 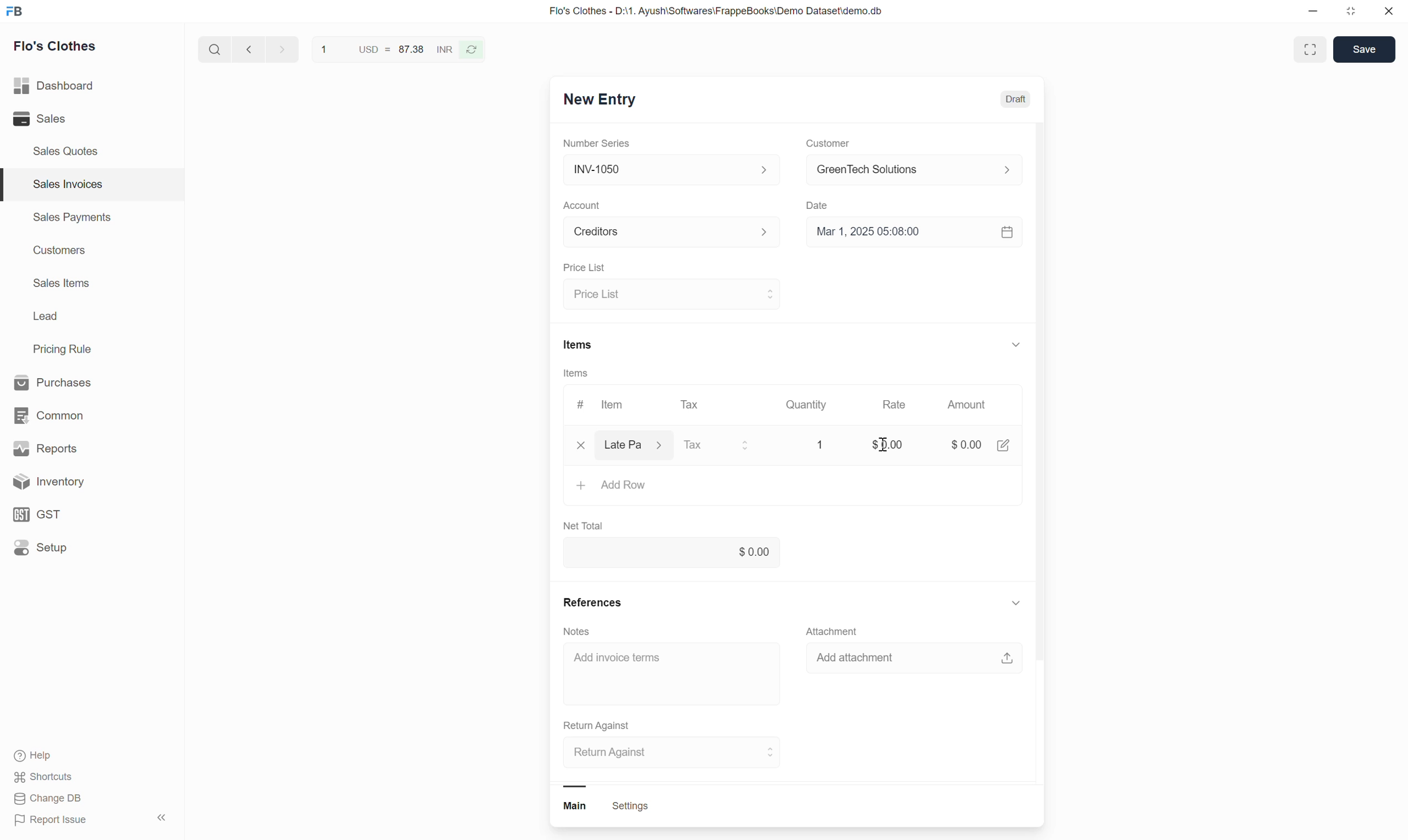 I want to click on Reports , so click(x=76, y=447).